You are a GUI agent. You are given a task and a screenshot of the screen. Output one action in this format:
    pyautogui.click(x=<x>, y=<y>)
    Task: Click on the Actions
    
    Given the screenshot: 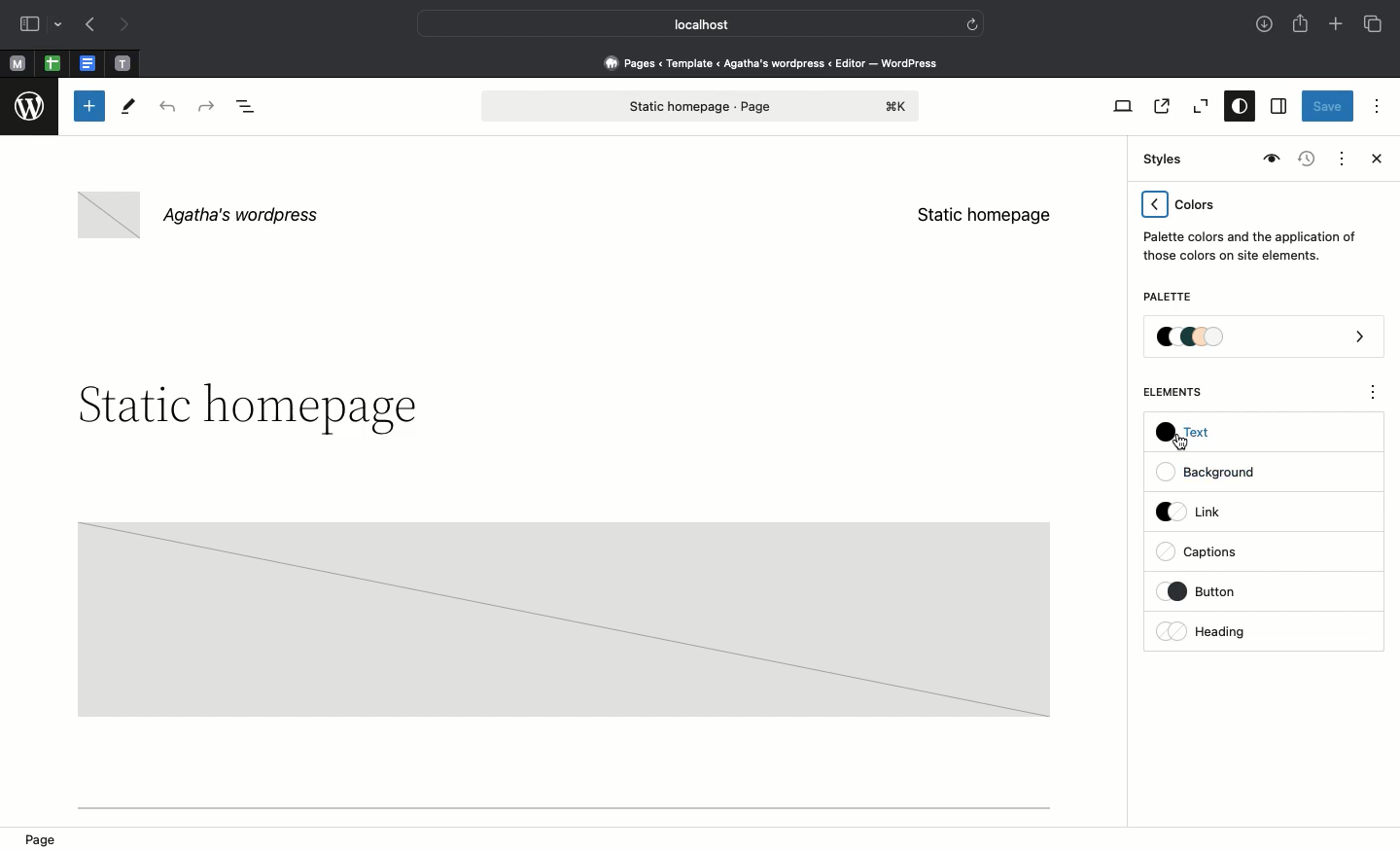 What is the action you would take?
    pyautogui.click(x=1340, y=157)
    